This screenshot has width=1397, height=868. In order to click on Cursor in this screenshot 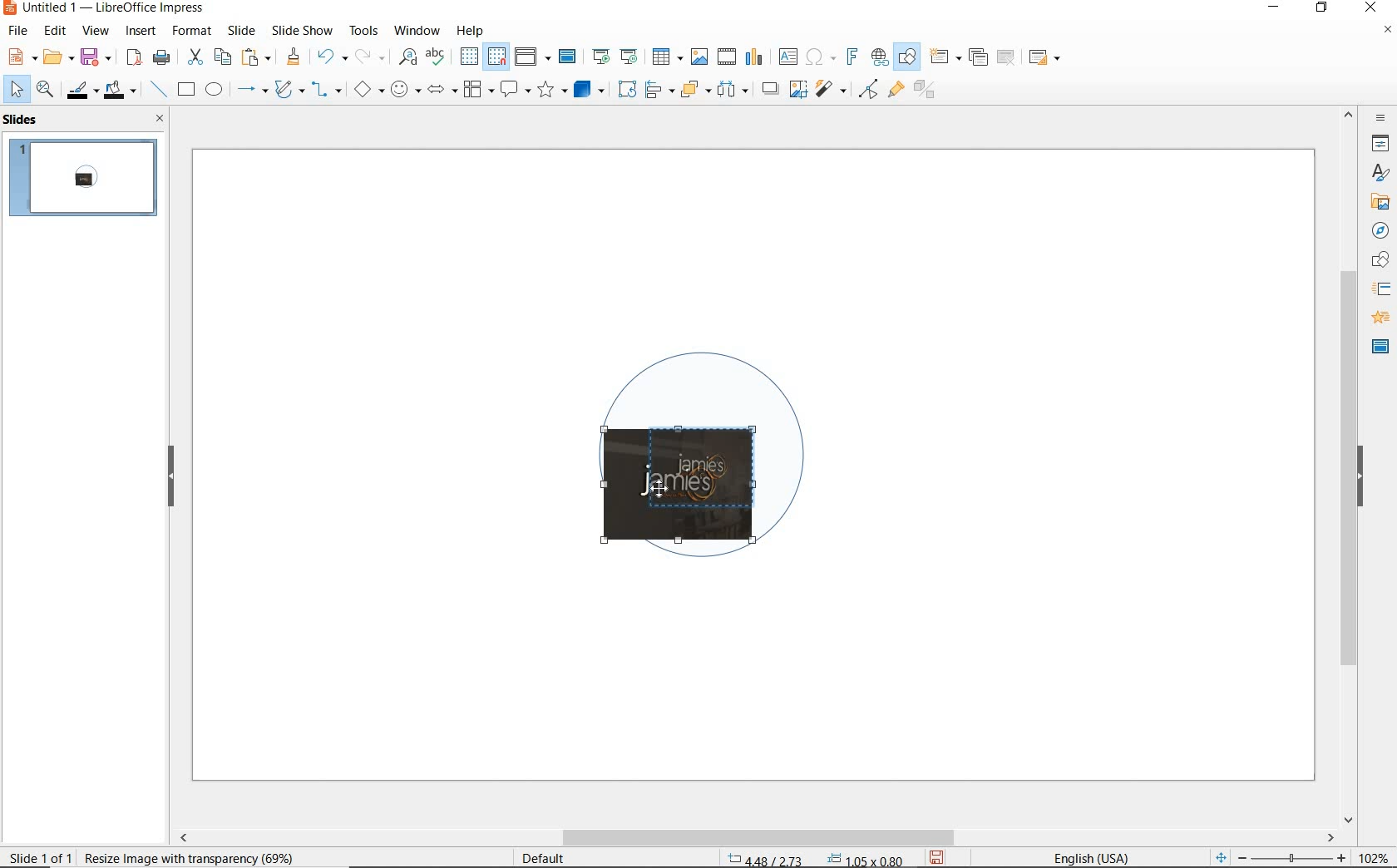, I will do `click(662, 485)`.